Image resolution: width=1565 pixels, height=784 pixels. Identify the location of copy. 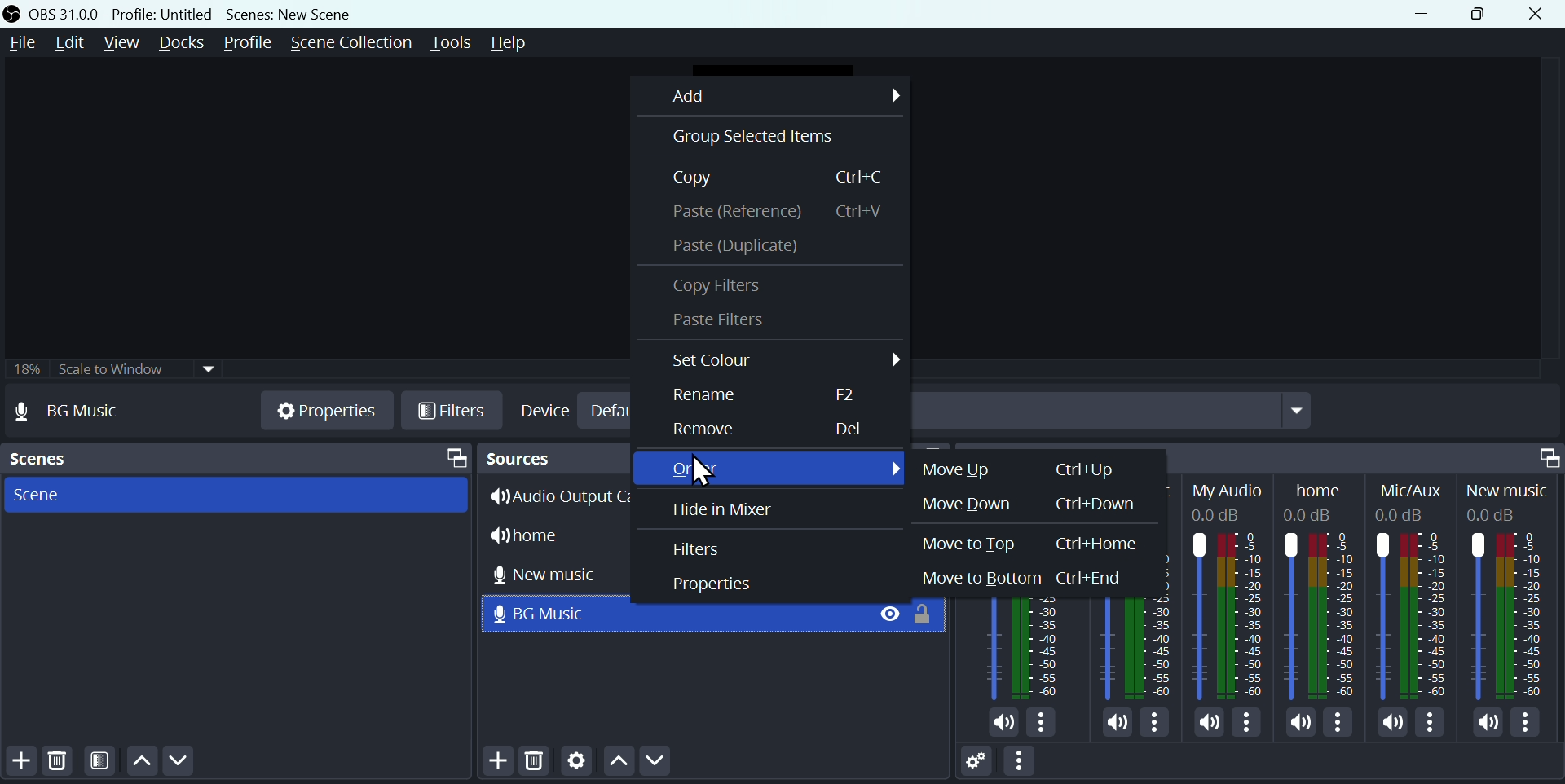
(791, 176).